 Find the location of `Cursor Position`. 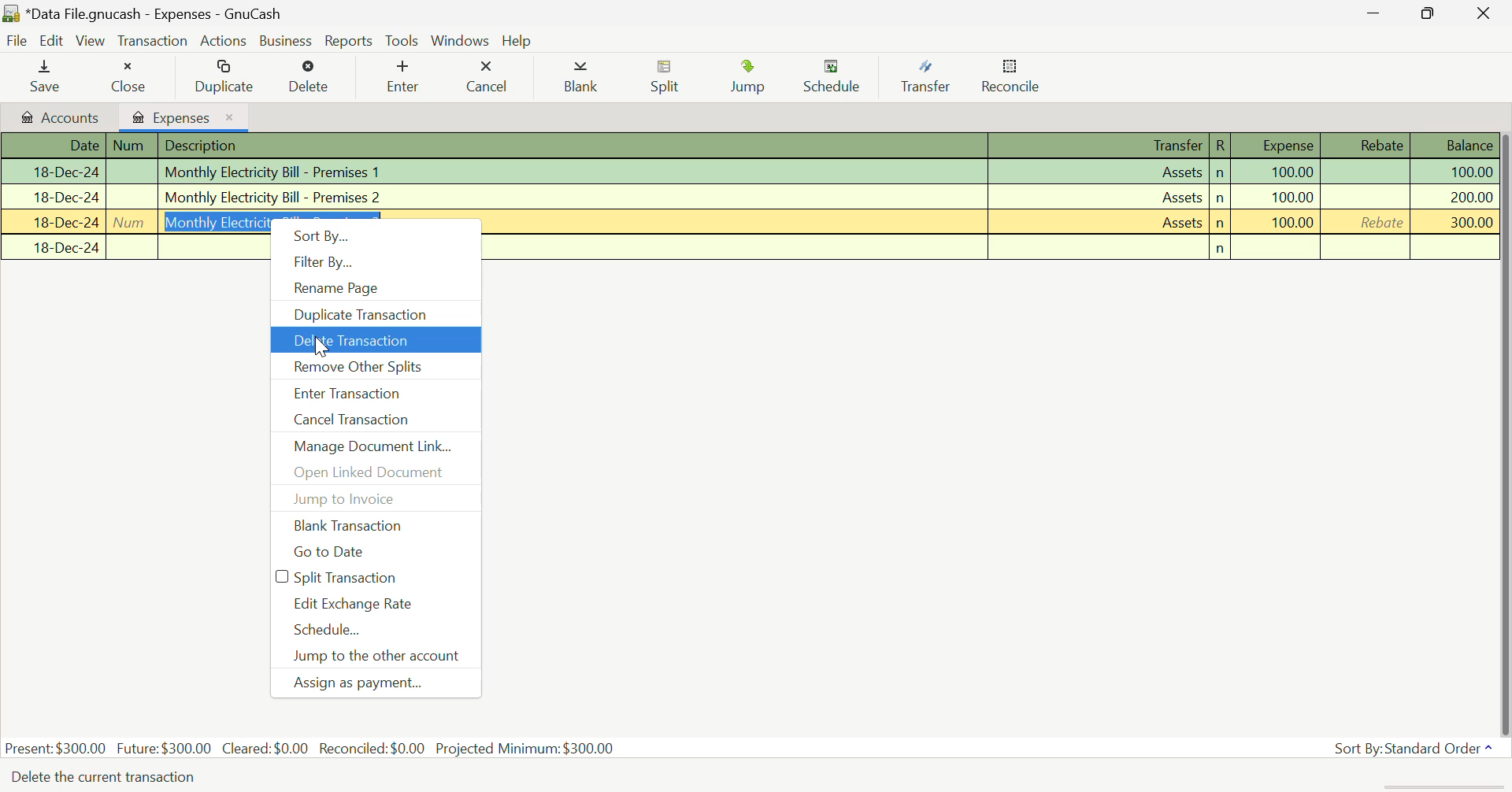

Cursor Position is located at coordinates (320, 345).